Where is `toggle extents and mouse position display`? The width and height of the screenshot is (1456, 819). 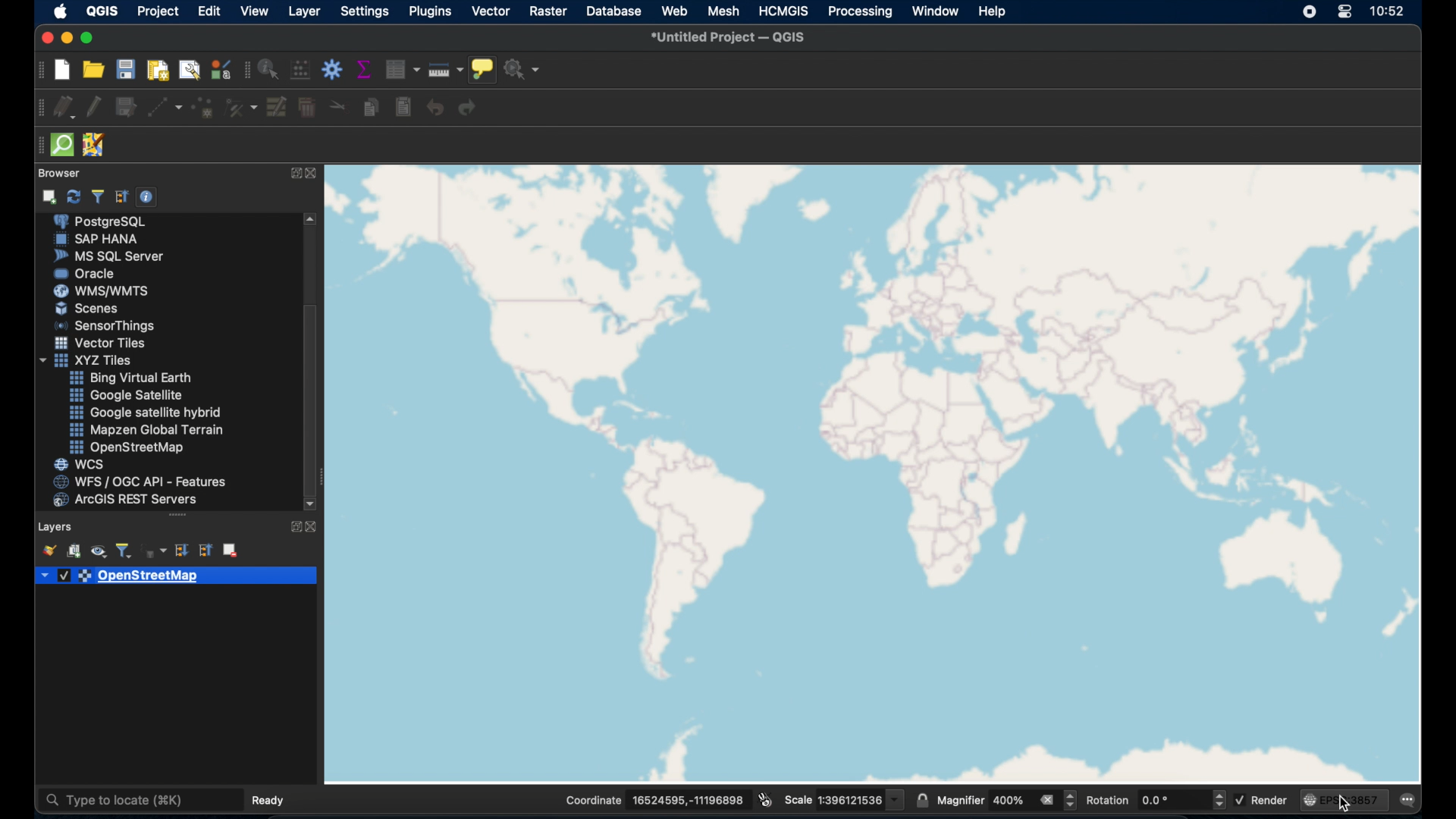 toggle extents and mouse position display is located at coordinates (765, 798).